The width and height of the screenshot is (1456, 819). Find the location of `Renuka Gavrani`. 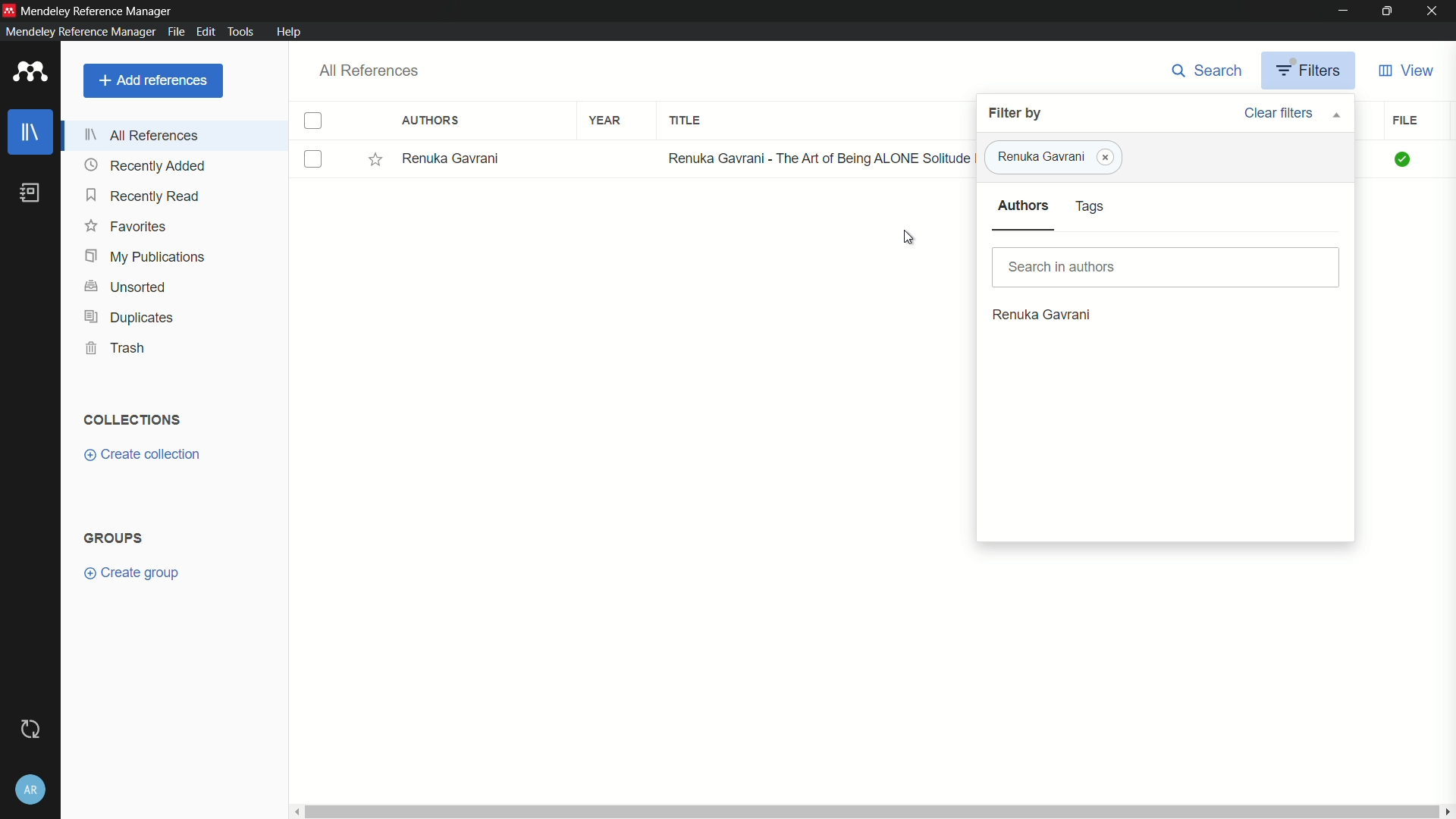

Renuka Gavrani is located at coordinates (1038, 158).